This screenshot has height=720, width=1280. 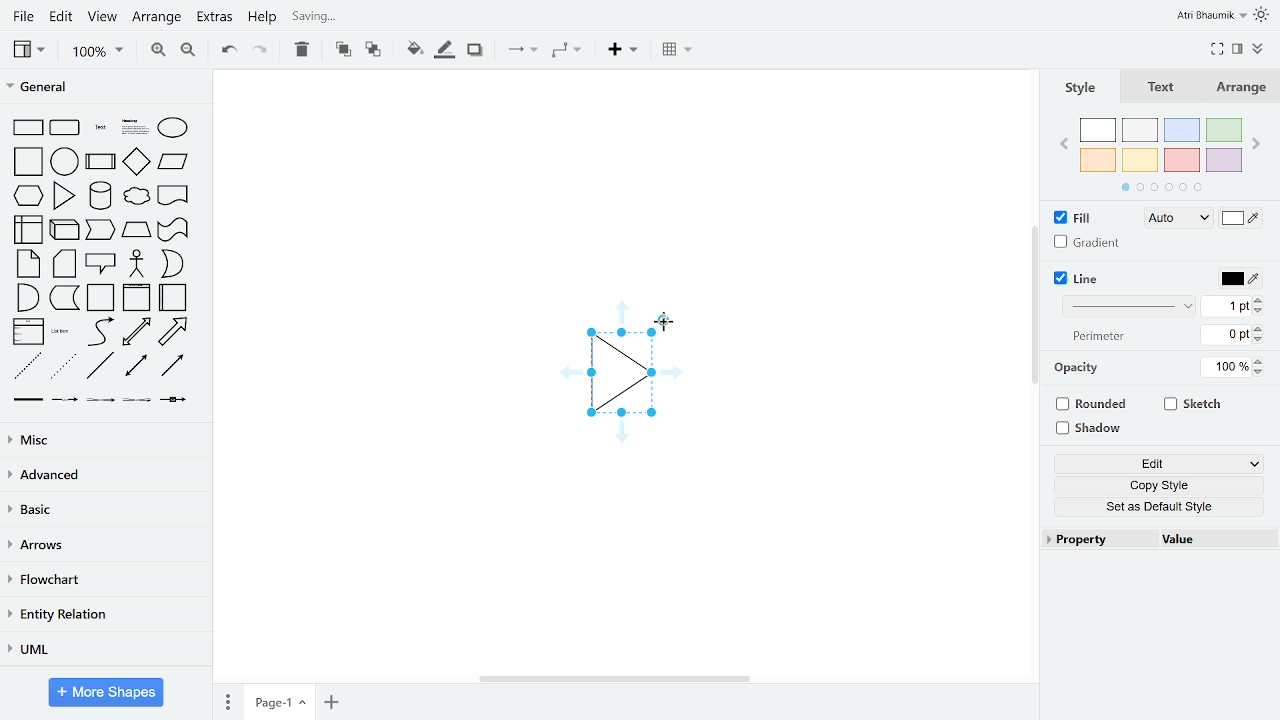 What do you see at coordinates (173, 194) in the screenshot?
I see `document` at bounding box center [173, 194].